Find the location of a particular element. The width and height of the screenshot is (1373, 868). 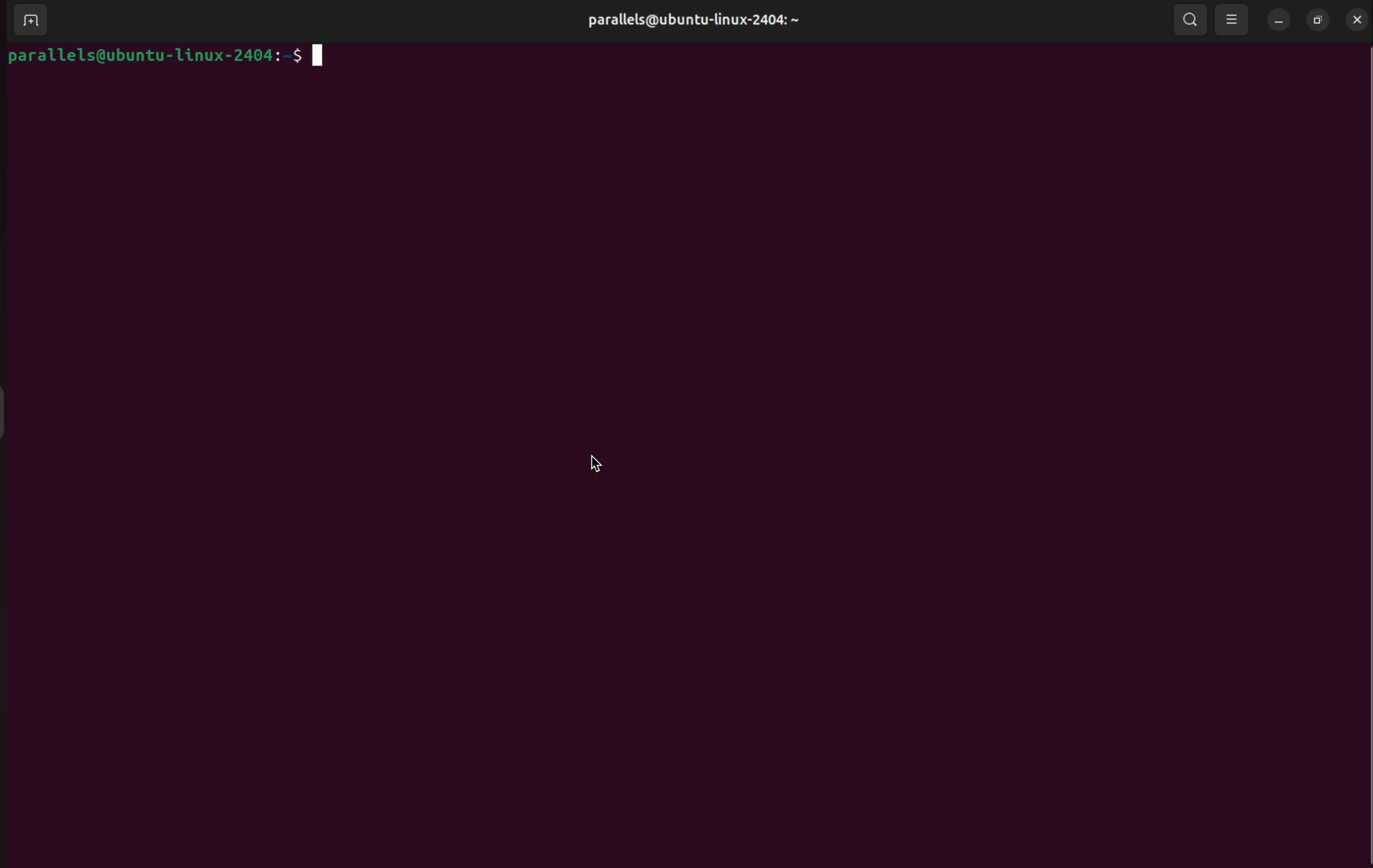

parallels is located at coordinates (698, 21).